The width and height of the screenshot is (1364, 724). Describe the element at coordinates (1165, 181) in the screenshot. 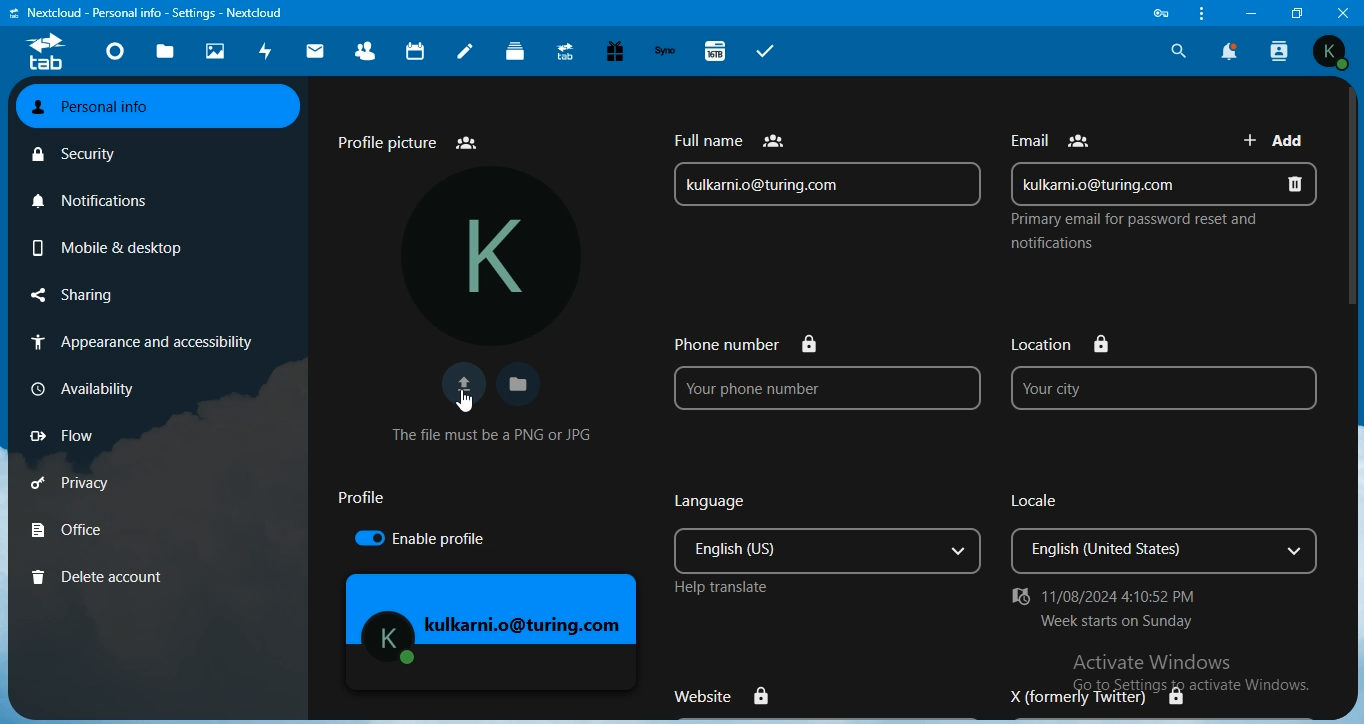

I see `email` at that location.